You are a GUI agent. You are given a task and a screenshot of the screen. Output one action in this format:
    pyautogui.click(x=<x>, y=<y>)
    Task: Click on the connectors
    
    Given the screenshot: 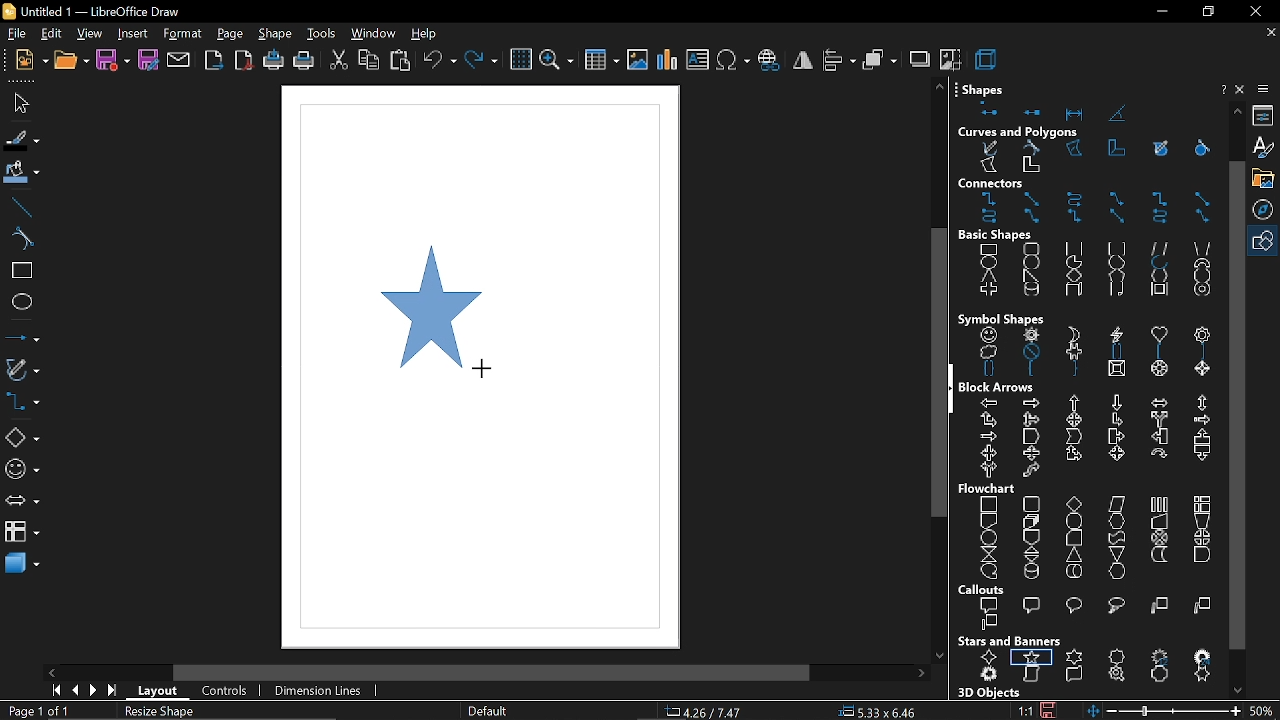 What is the action you would take?
    pyautogui.click(x=22, y=404)
    